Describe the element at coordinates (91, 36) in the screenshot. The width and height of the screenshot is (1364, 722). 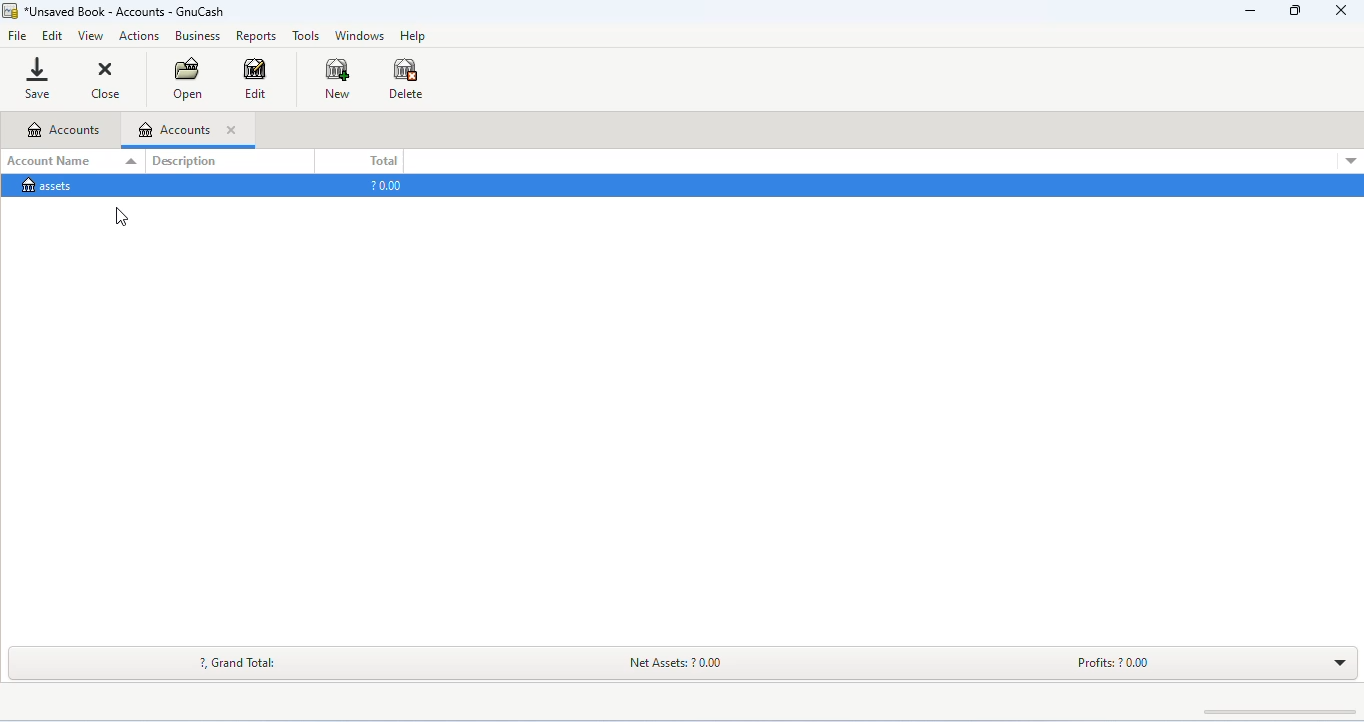
I see `view` at that location.